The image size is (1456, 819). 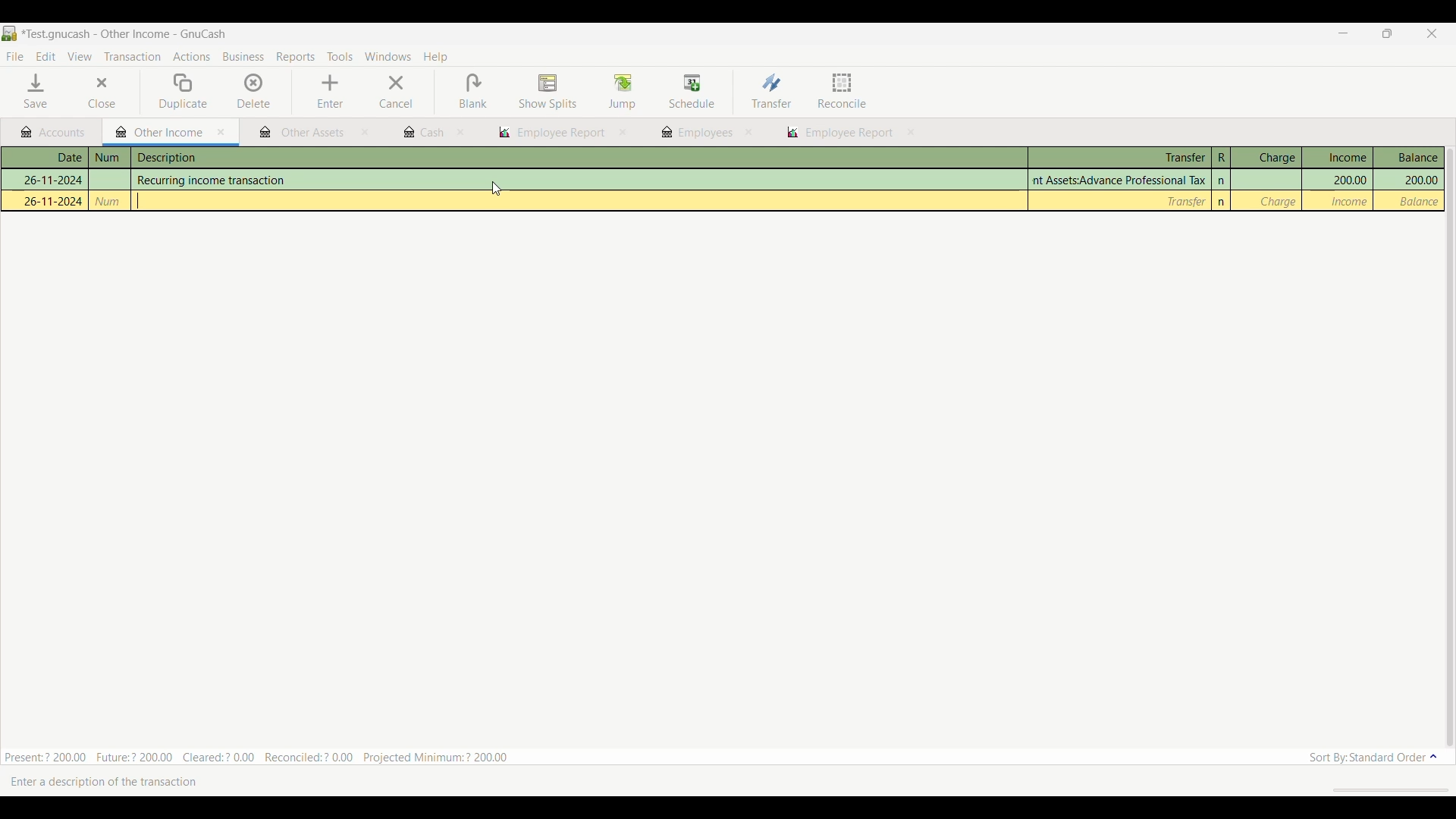 What do you see at coordinates (1337, 157) in the screenshot?
I see `Income column` at bounding box center [1337, 157].